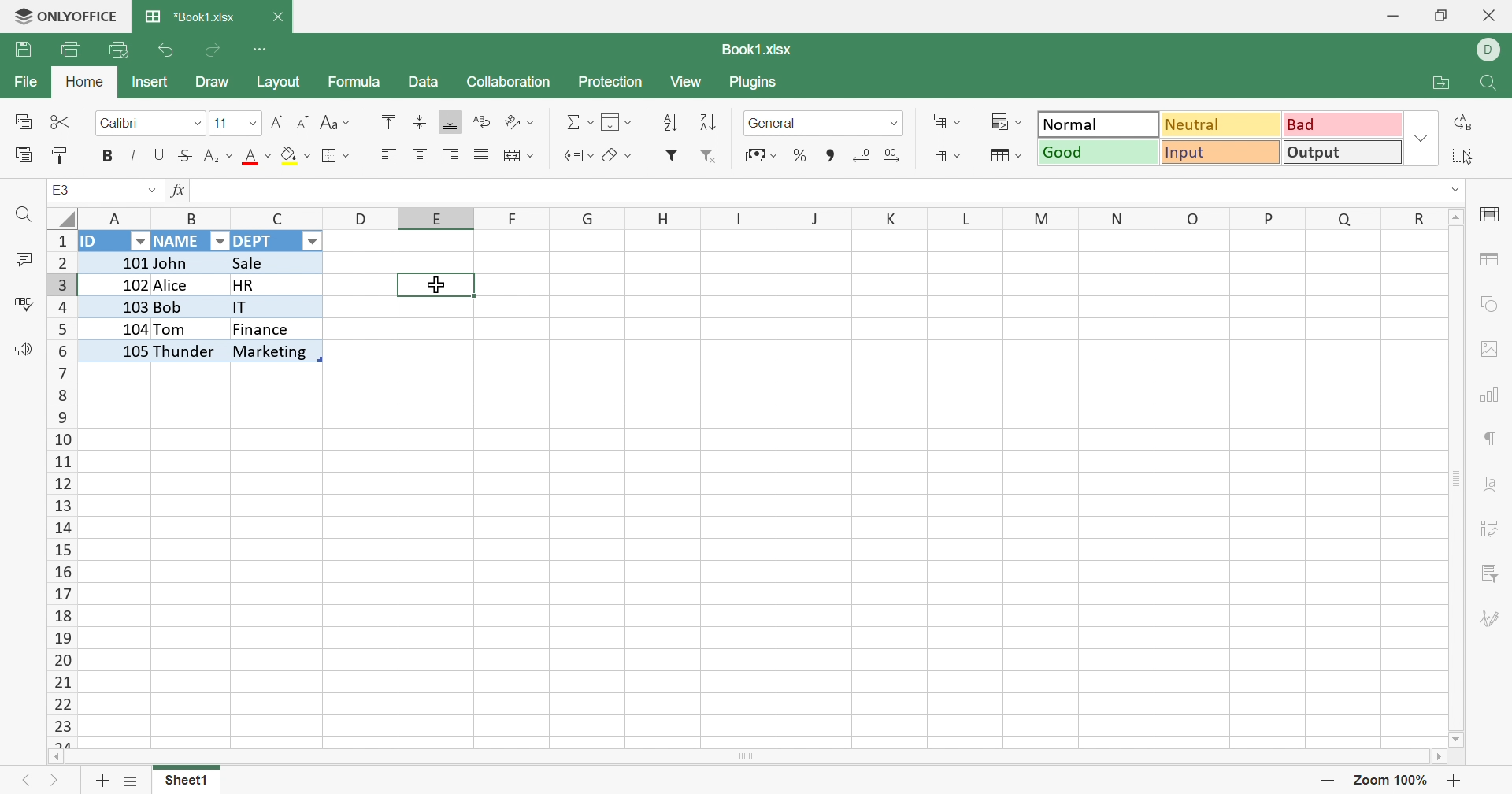  What do you see at coordinates (258, 243) in the screenshot?
I see `DEPT` at bounding box center [258, 243].